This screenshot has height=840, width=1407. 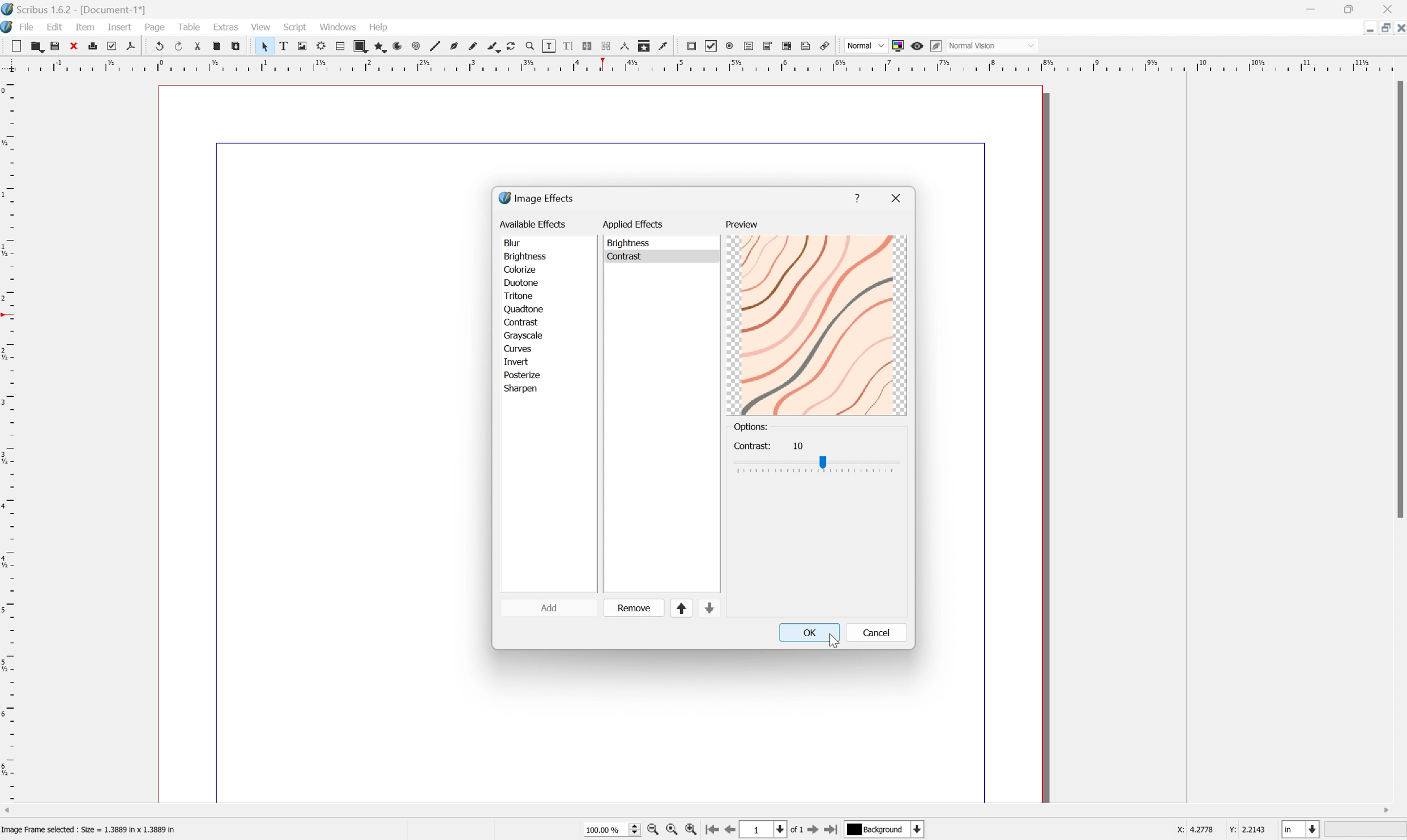 What do you see at coordinates (899, 45) in the screenshot?
I see `Toggle color management` at bounding box center [899, 45].